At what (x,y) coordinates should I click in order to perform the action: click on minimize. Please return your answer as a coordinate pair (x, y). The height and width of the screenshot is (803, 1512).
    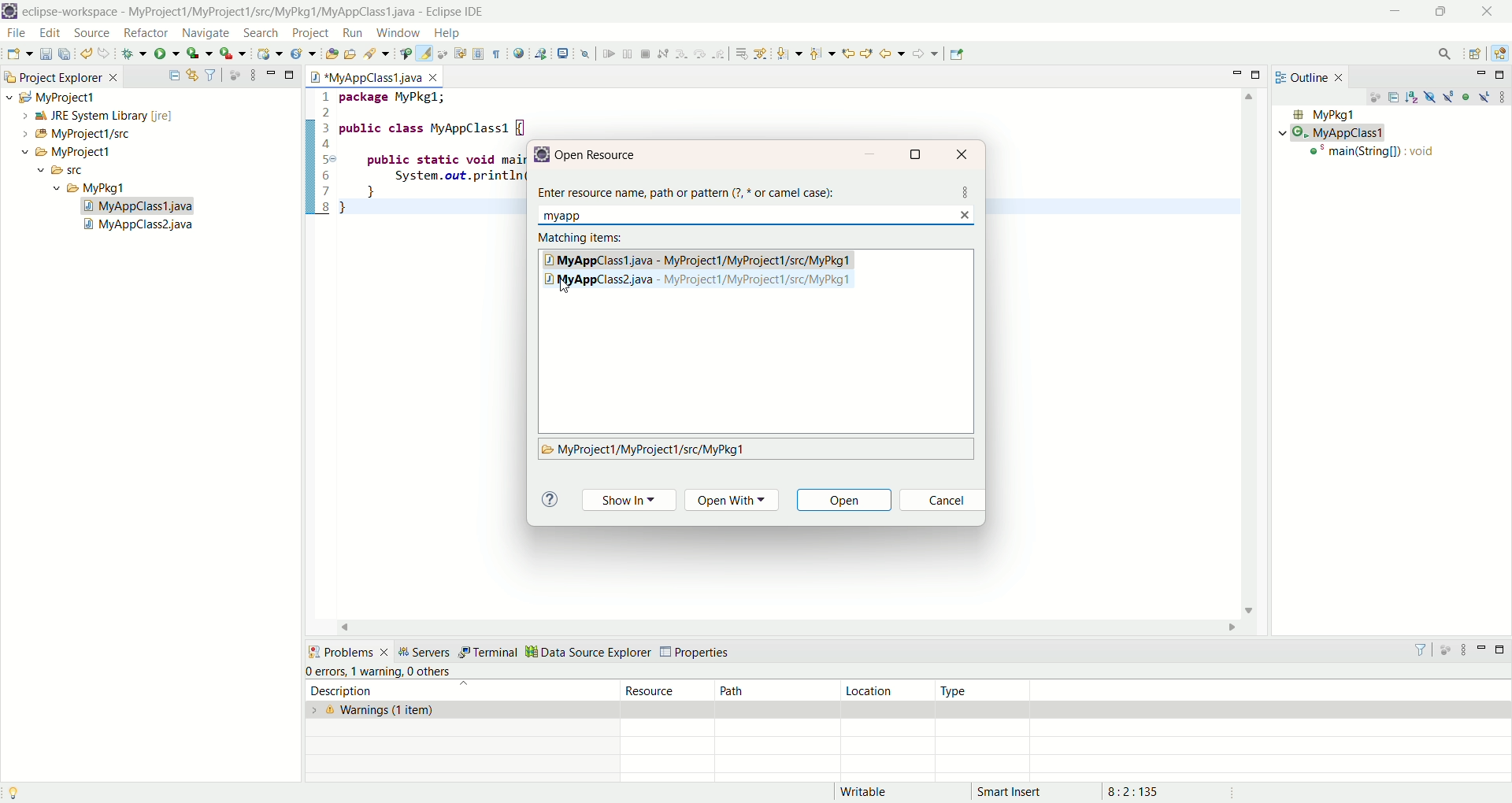
    Looking at the image, I should click on (271, 72).